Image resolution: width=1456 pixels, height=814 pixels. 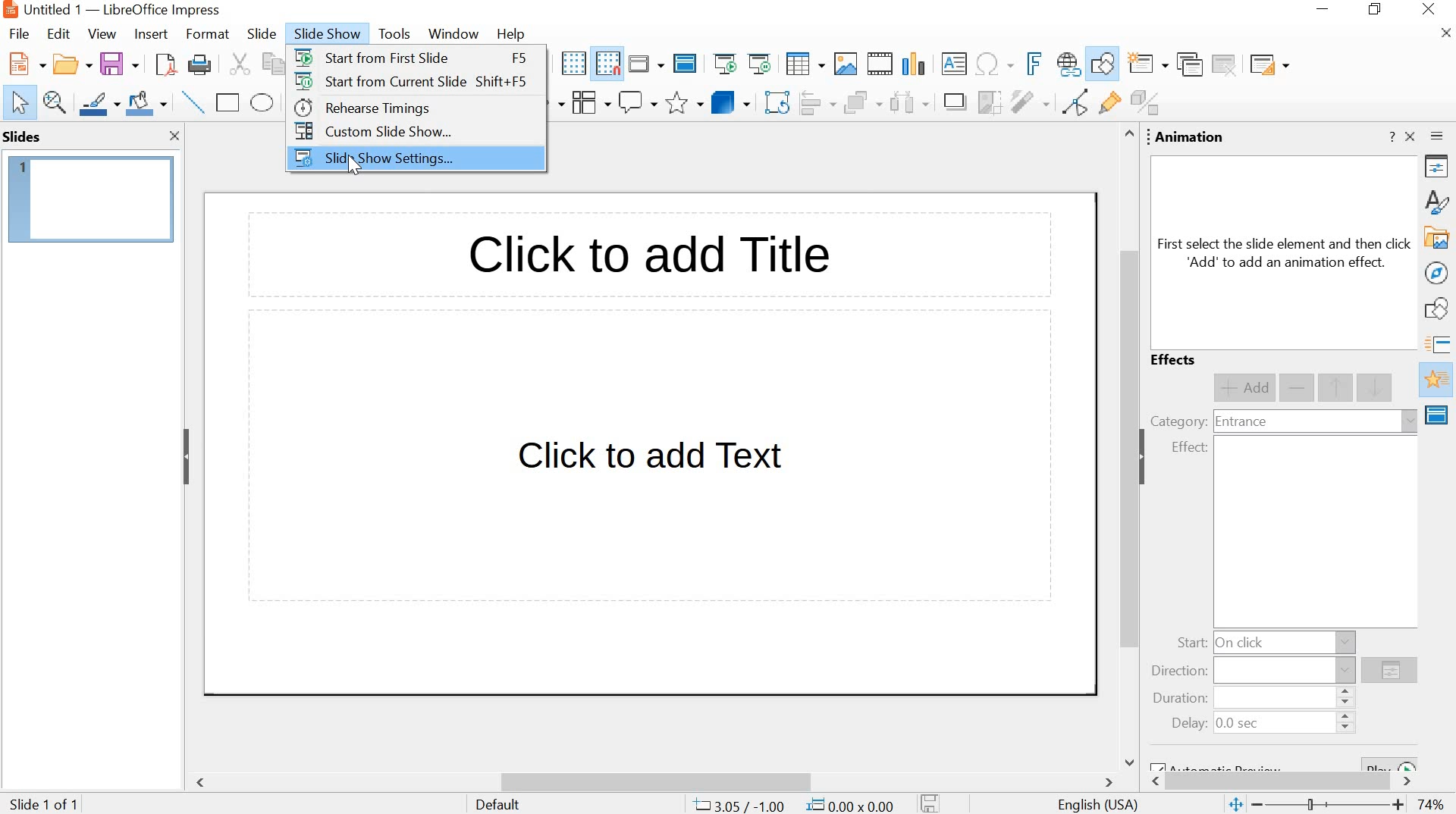 I want to click on insert fontwork text, so click(x=1031, y=63).